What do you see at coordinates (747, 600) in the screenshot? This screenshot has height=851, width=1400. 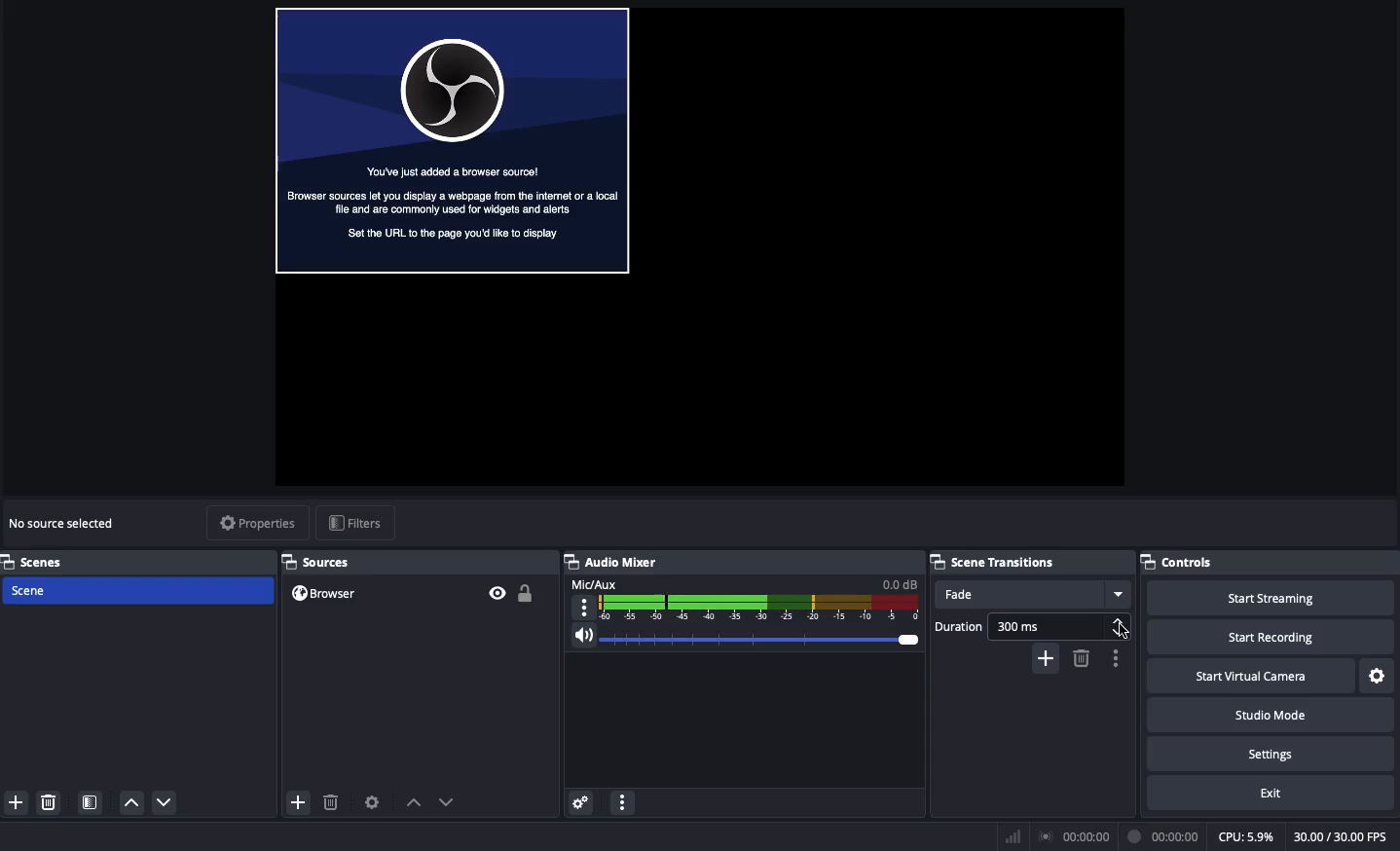 I see `Mic aux` at bounding box center [747, 600].